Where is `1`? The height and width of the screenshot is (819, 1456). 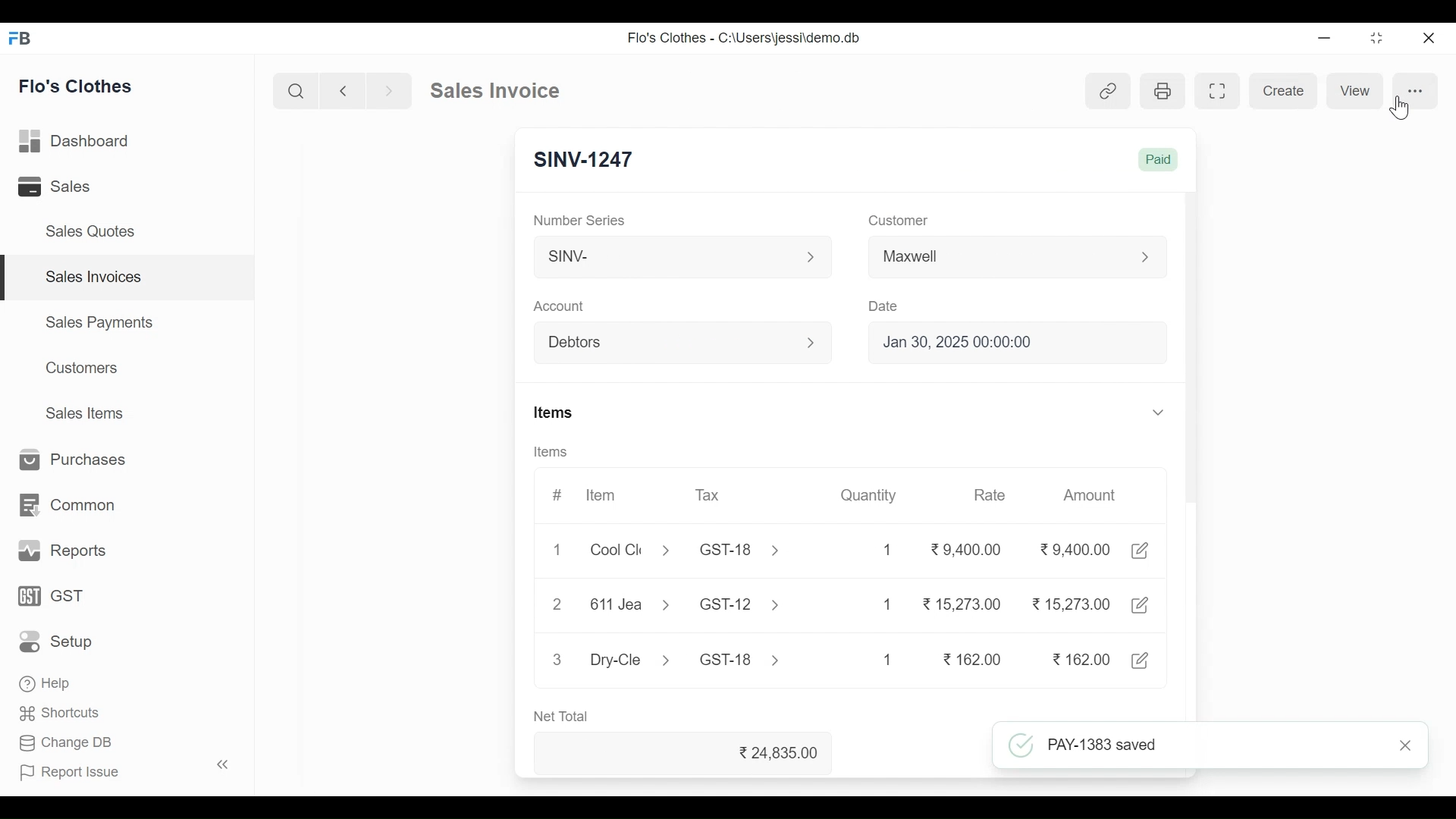
1 is located at coordinates (890, 548).